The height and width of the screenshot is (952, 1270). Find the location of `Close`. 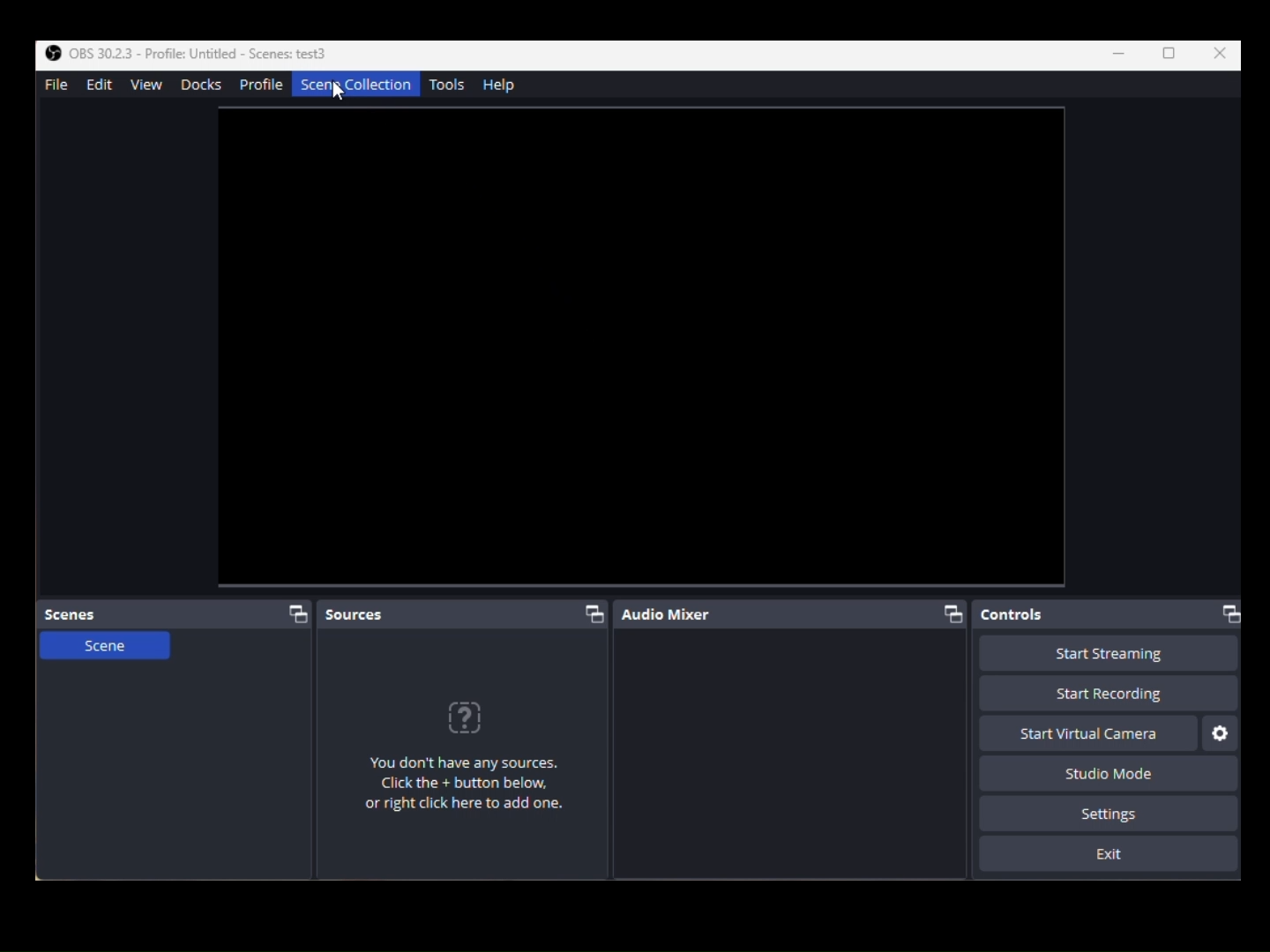

Close is located at coordinates (1221, 54).